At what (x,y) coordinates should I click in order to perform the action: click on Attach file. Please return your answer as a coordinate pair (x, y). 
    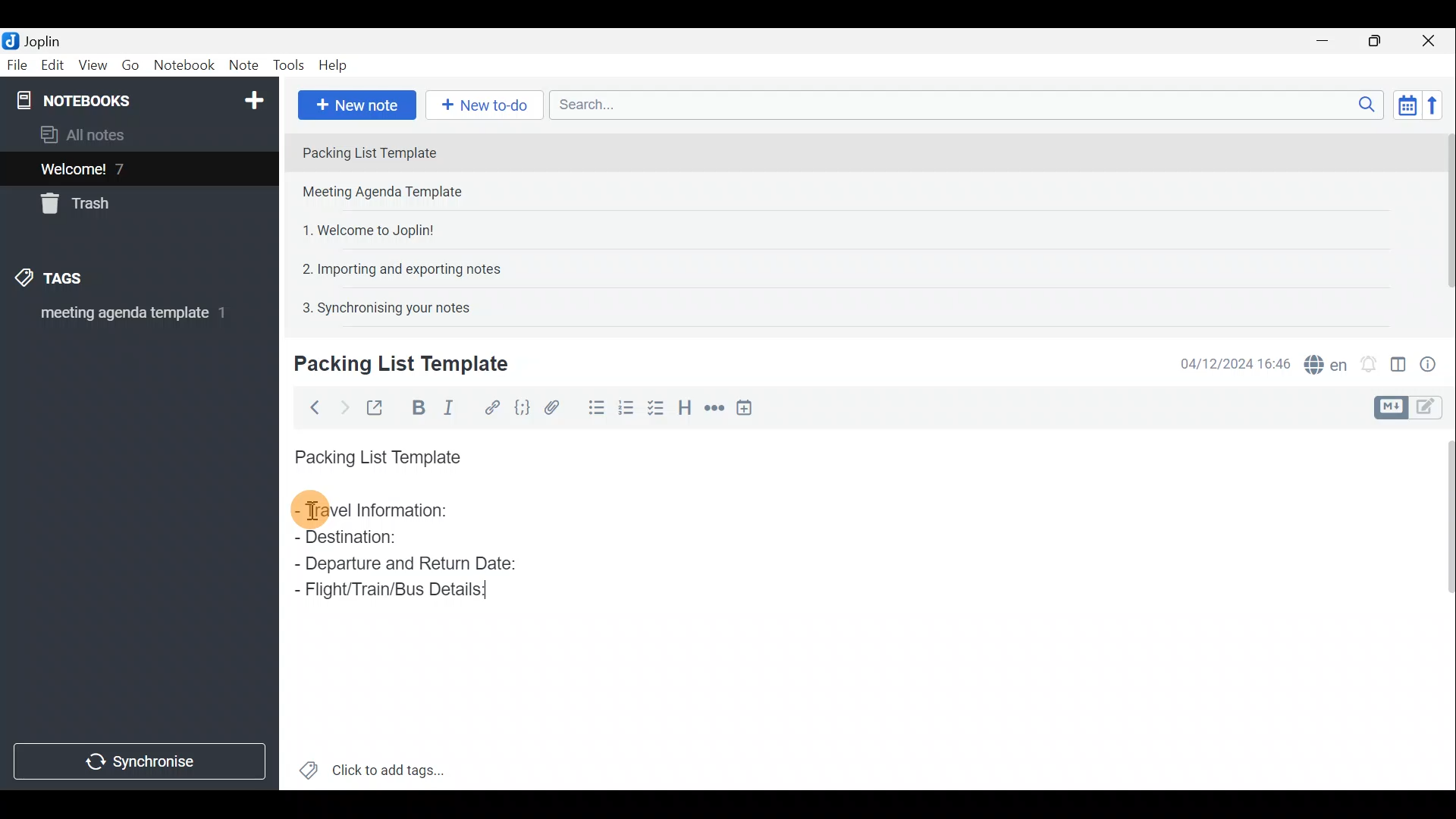
    Looking at the image, I should click on (552, 406).